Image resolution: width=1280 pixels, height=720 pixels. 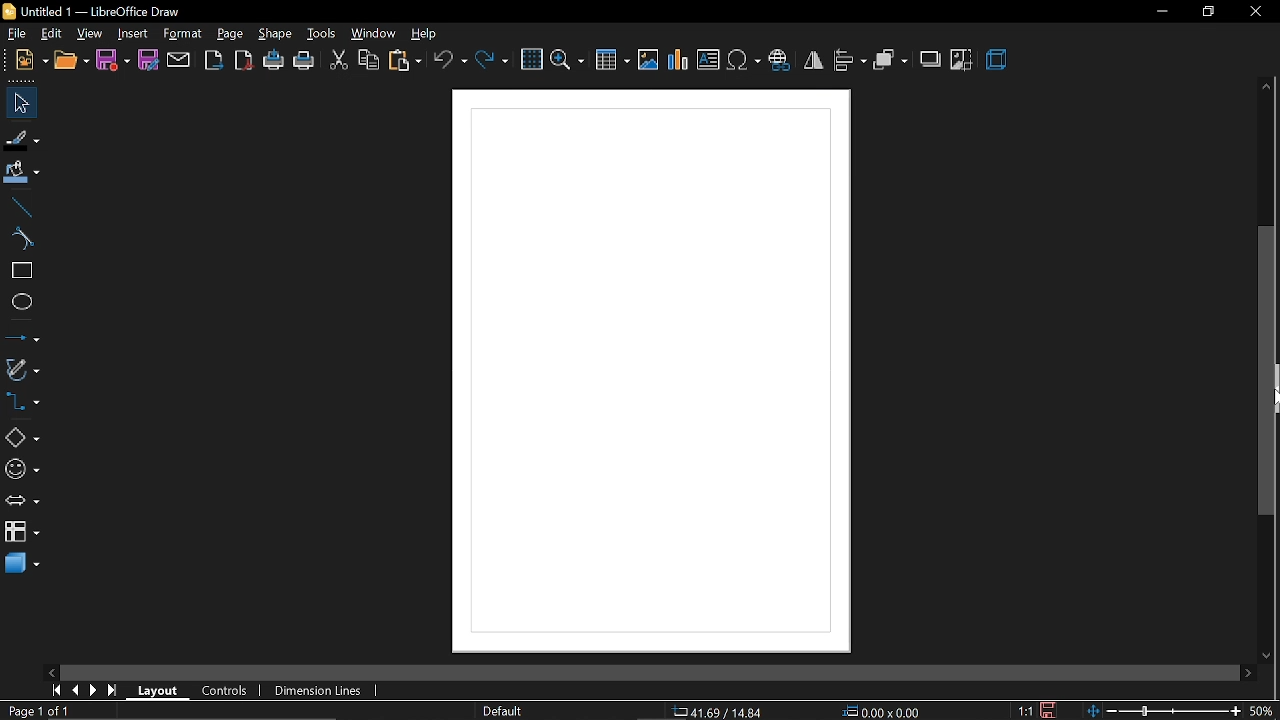 What do you see at coordinates (21, 139) in the screenshot?
I see `fill line` at bounding box center [21, 139].